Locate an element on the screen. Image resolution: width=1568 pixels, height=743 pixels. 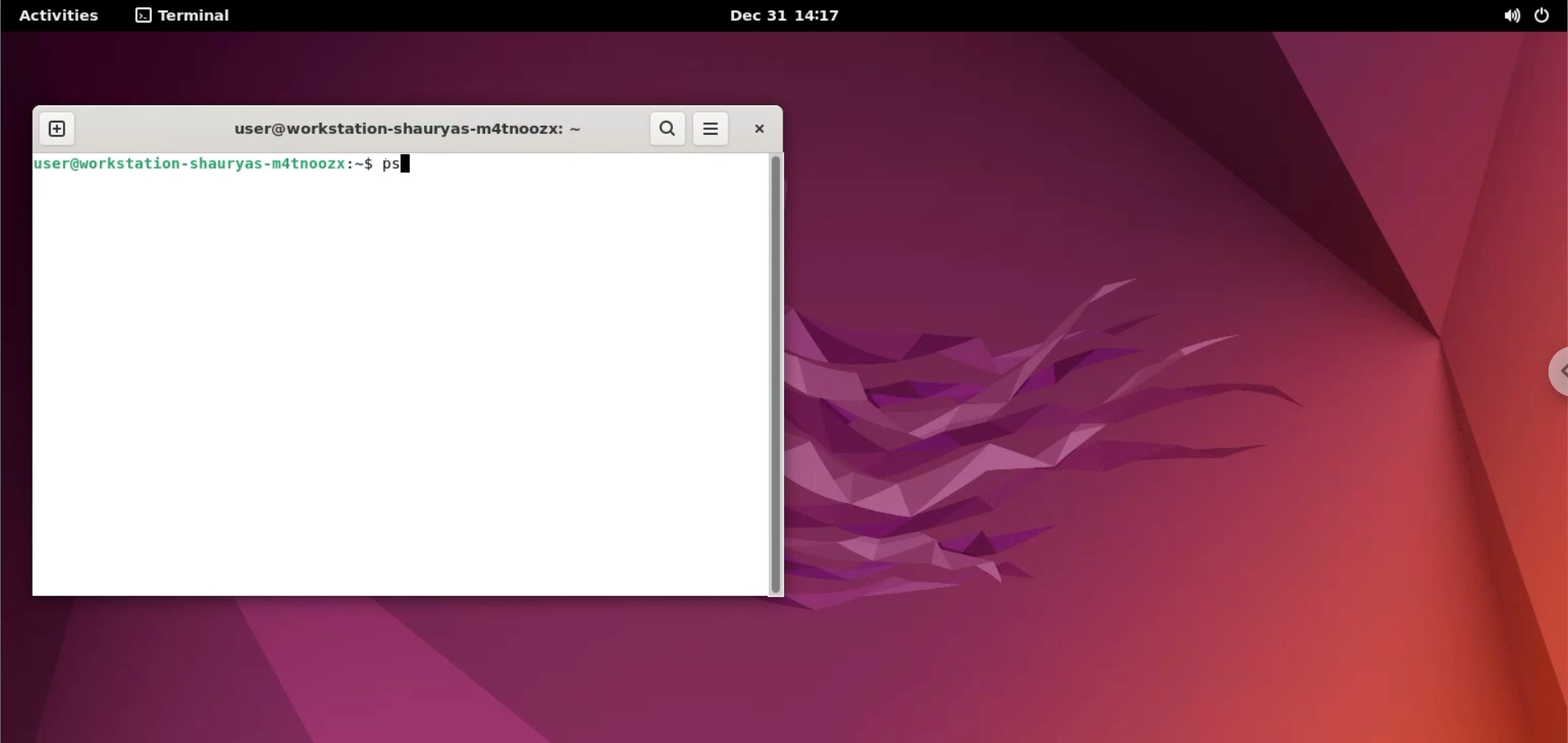
jser@workstation-shauryas-m4tnoozx:~$ is located at coordinates (204, 165).